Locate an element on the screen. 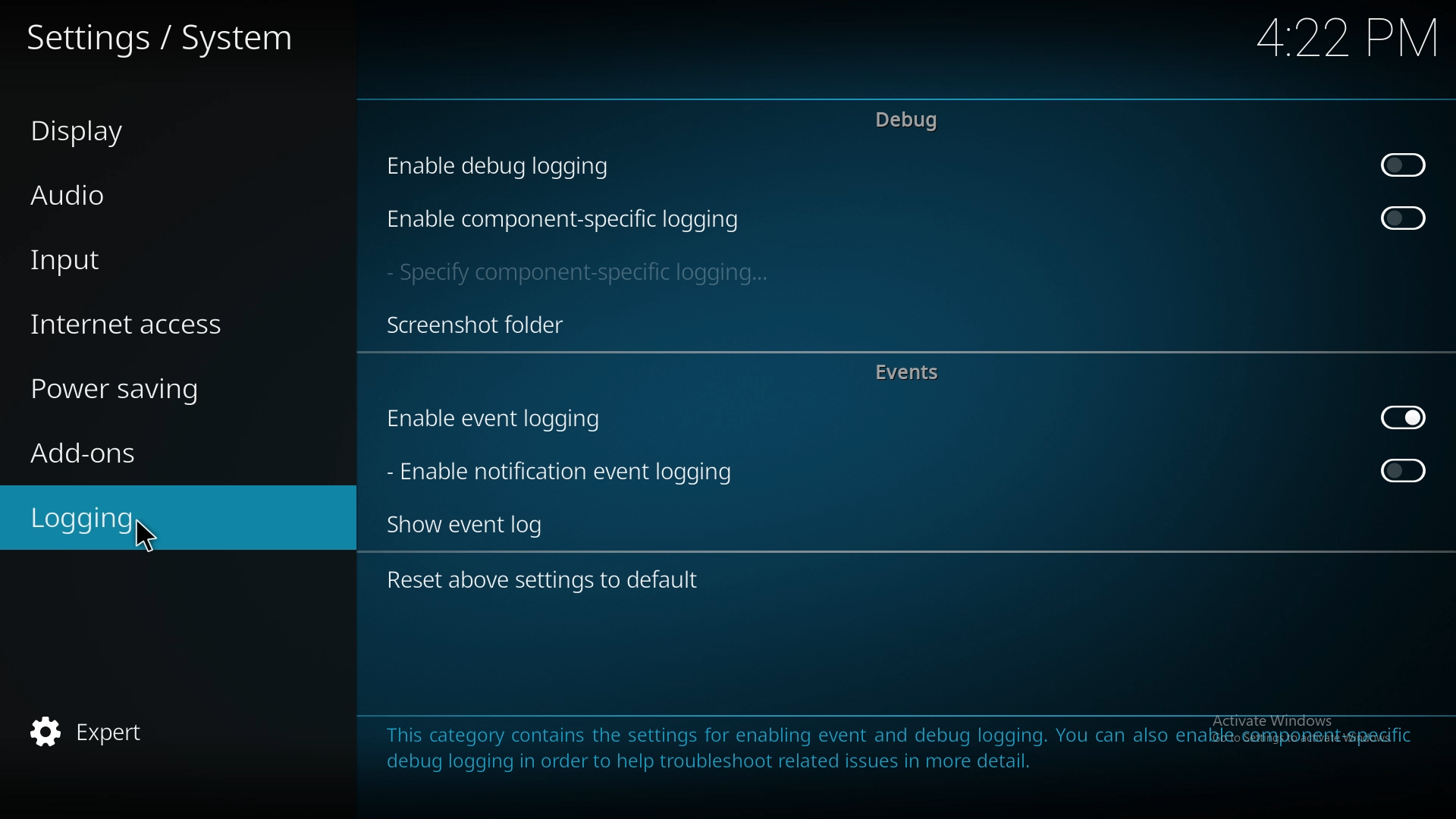 Image resolution: width=1456 pixels, height=819 pixels. audio is located at coordinates (155, 192).